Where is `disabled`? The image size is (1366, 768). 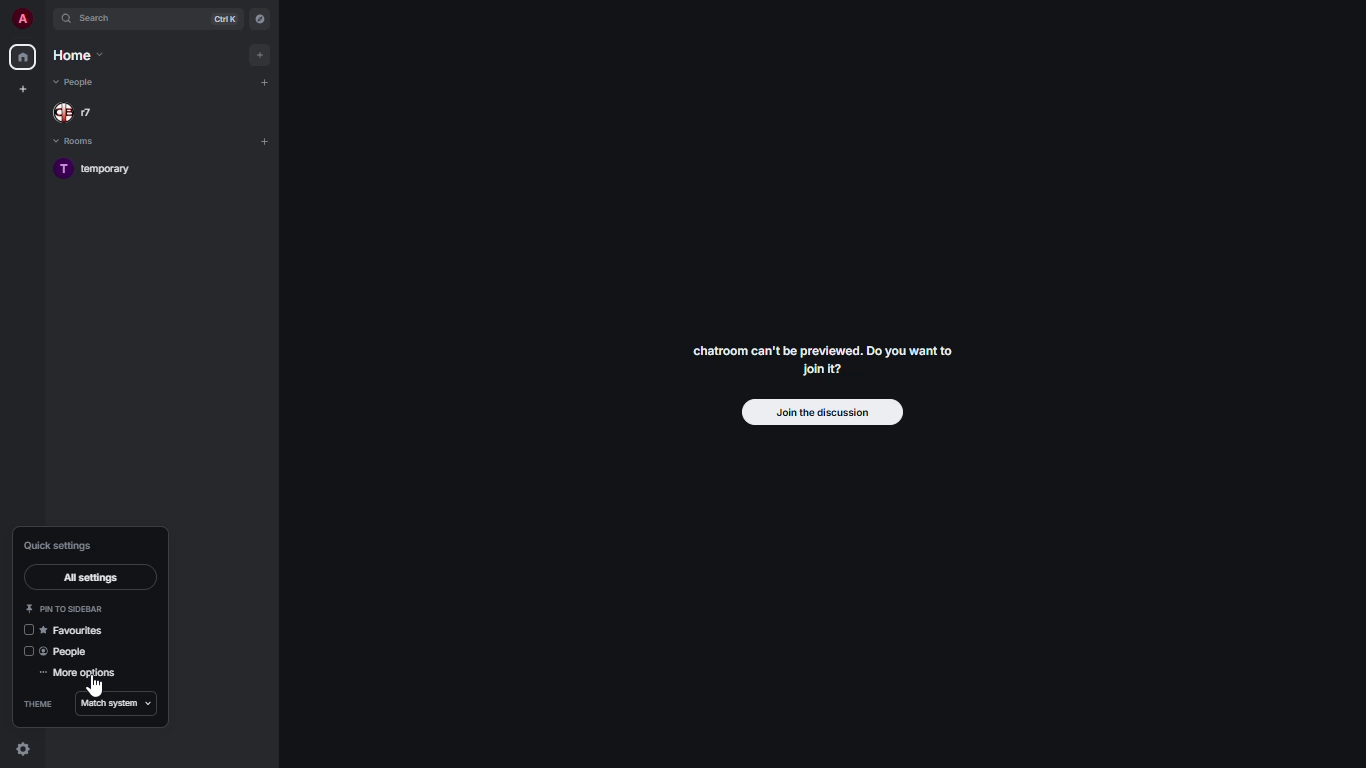 disabled is located at coordinates (28, 651).